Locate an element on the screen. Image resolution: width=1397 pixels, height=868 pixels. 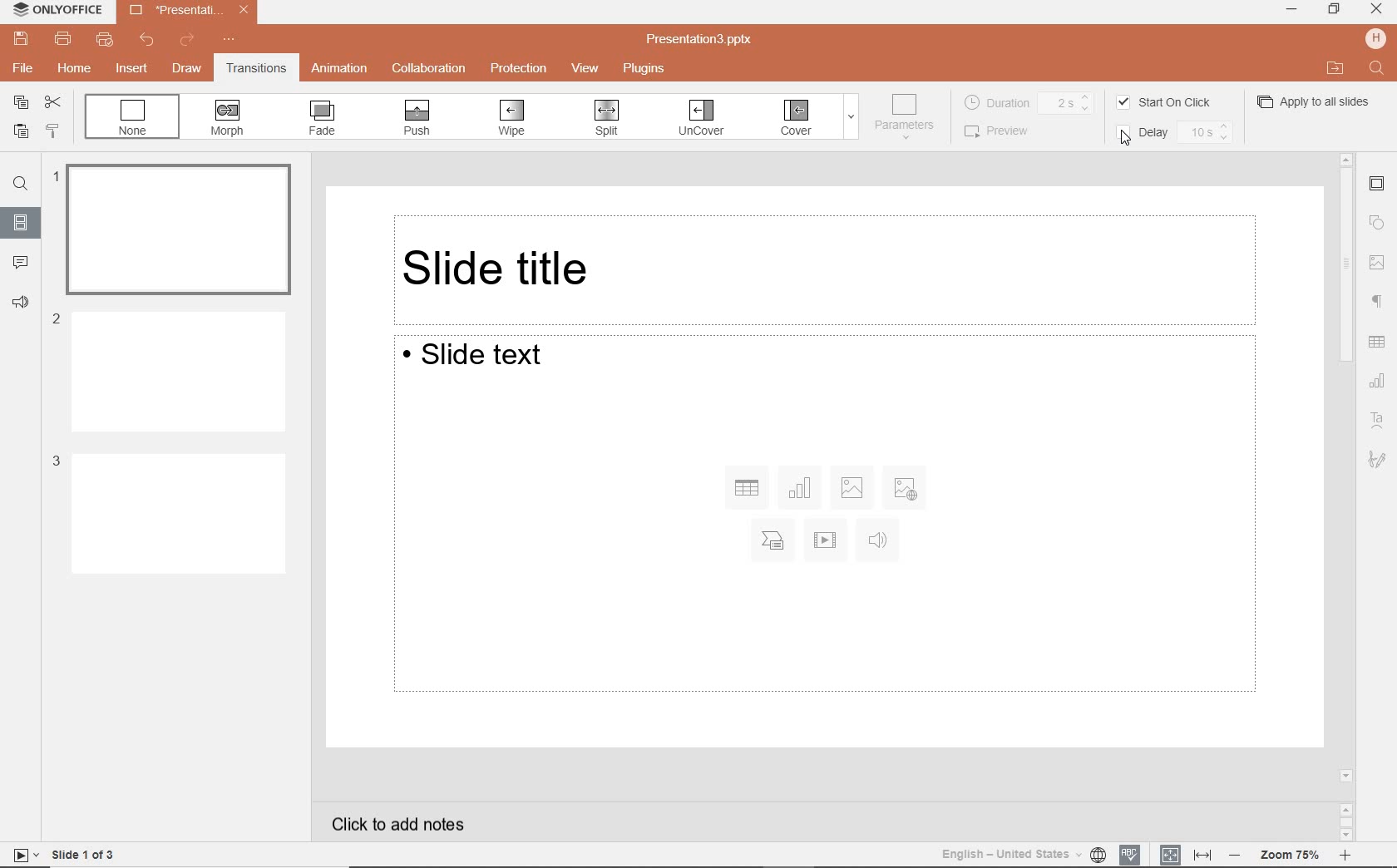
Presentation3.pptx is located at coordinates (700, 39).